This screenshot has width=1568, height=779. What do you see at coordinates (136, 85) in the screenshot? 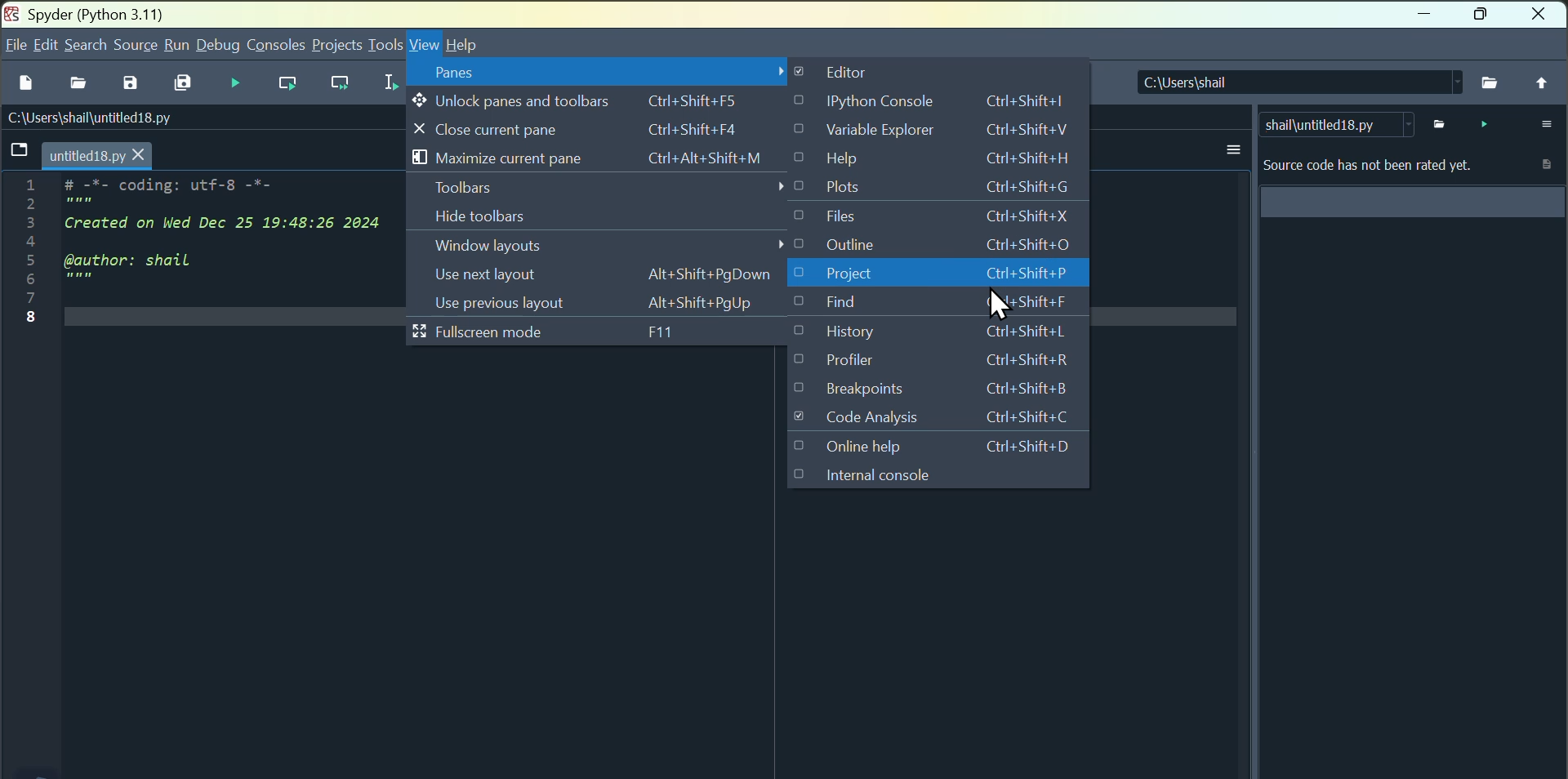
I see `save` at bounding box center [136, 85].